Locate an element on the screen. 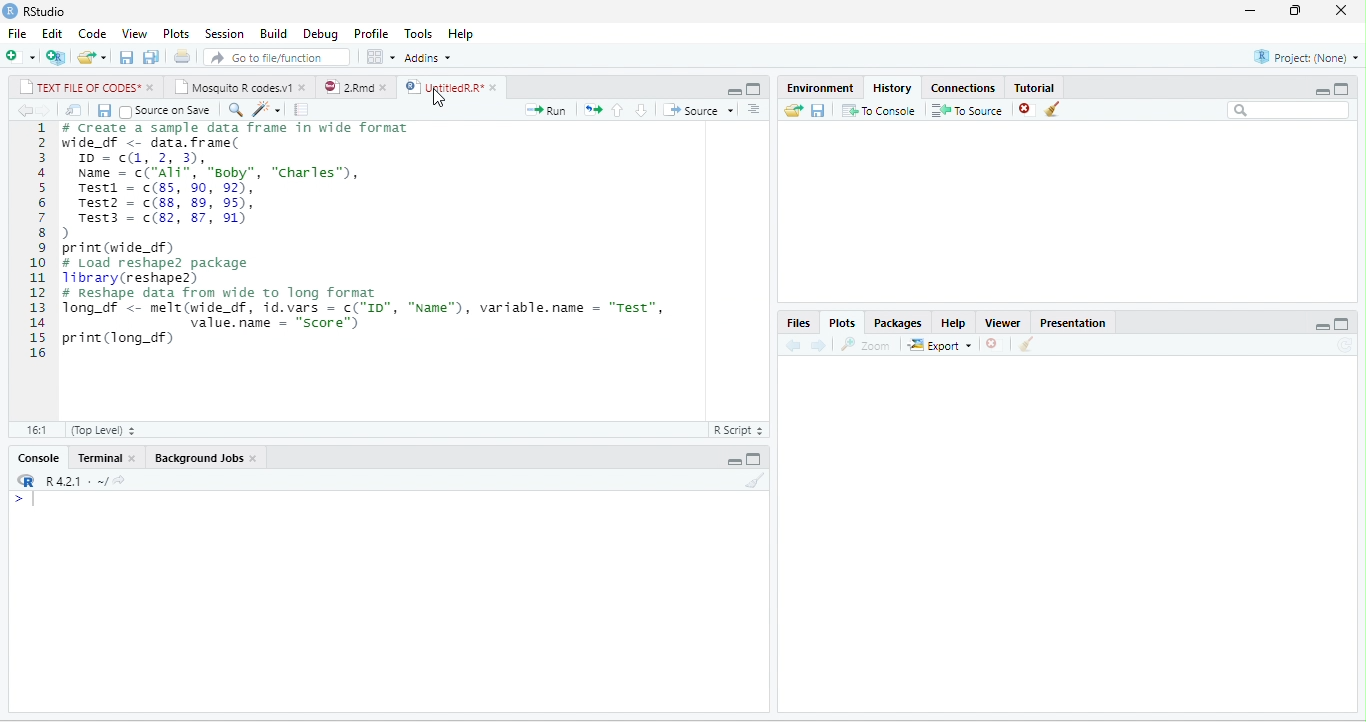 The width and height of the screenshot is (1366, 722). Export is located at coordinates (940, 344).